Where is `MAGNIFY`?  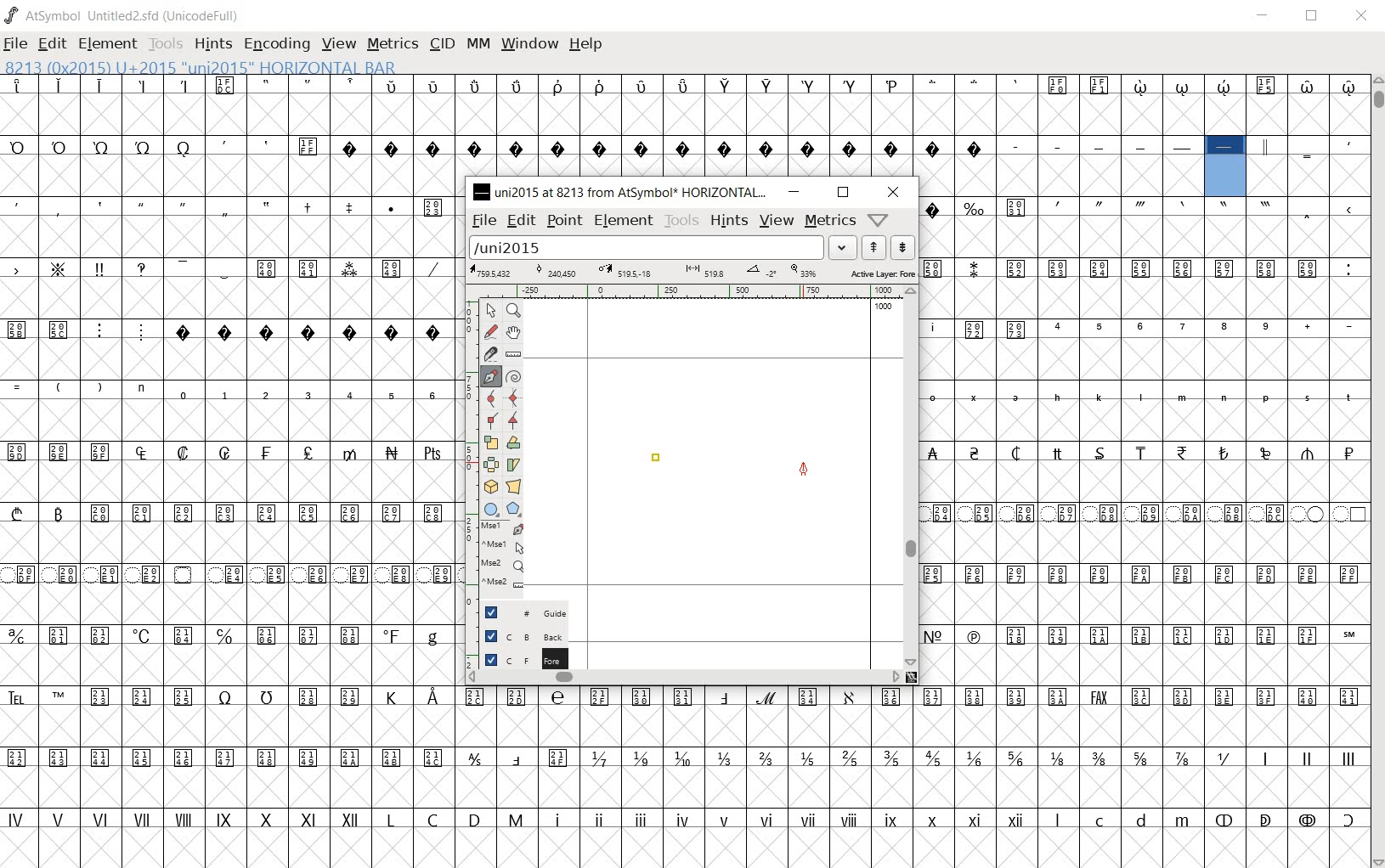
MAGNIFY is located at coordinates (515, 310).